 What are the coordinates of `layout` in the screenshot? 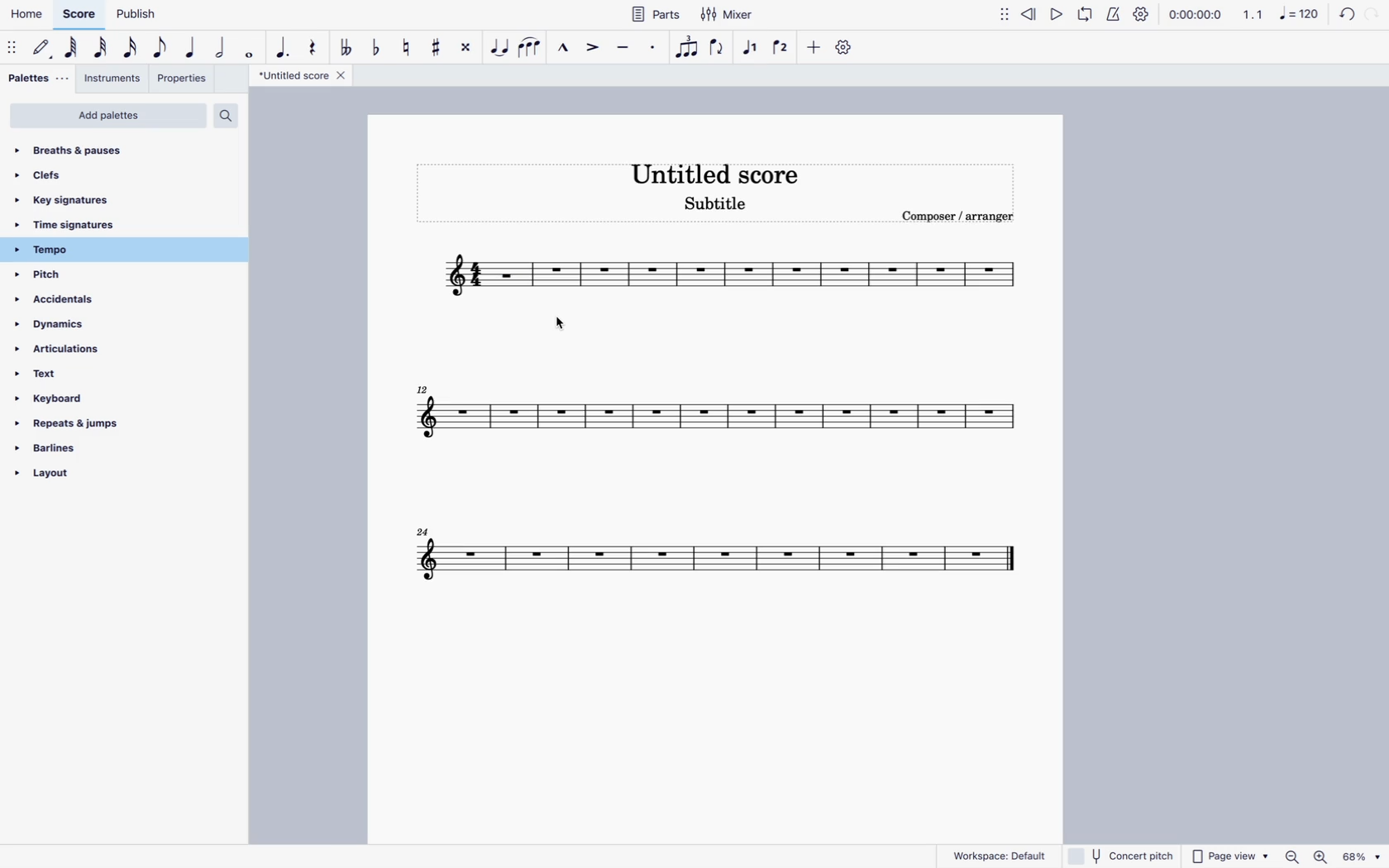 It's located at (63, 480).